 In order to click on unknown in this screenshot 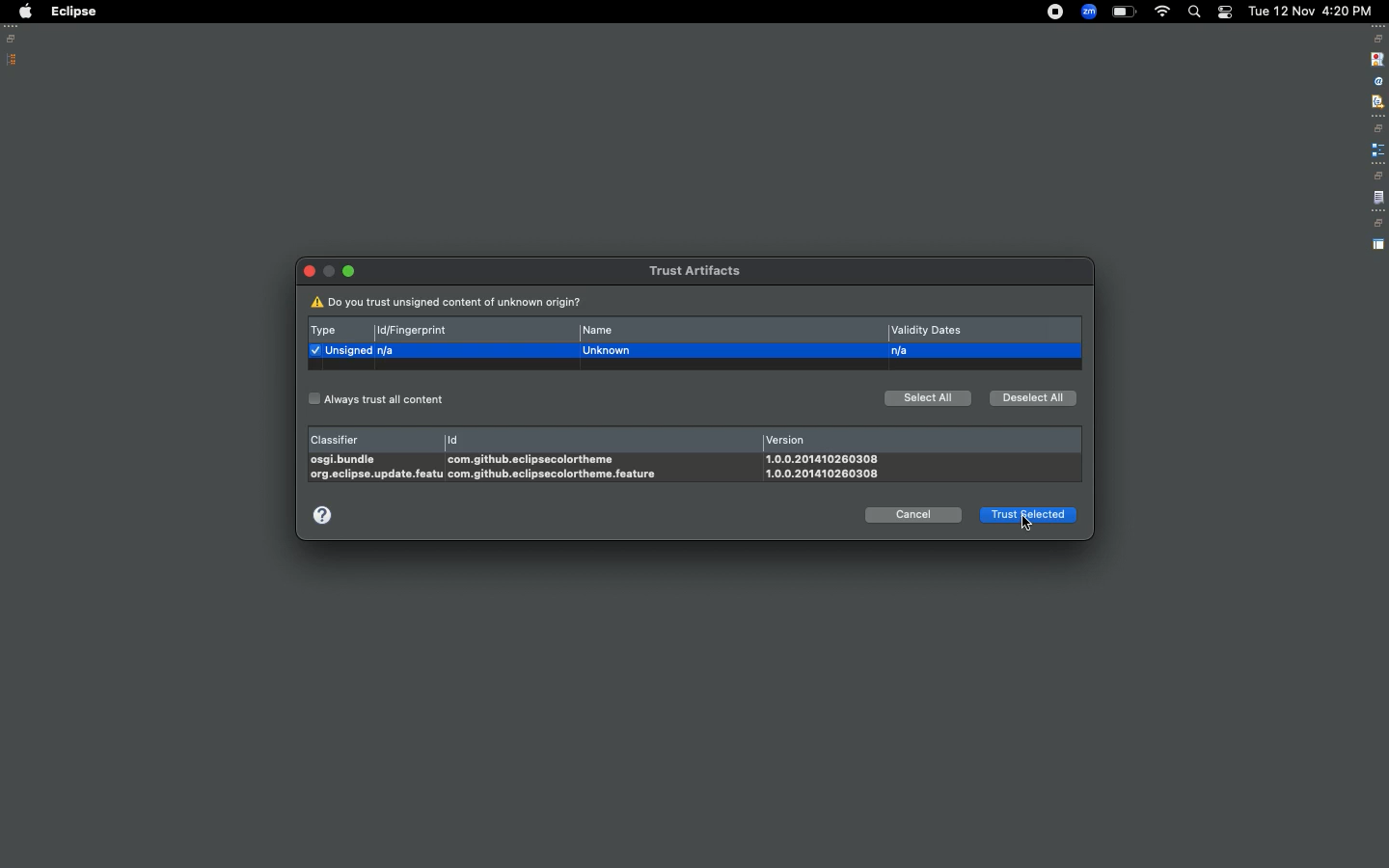, I will do `click(610, 351)`.